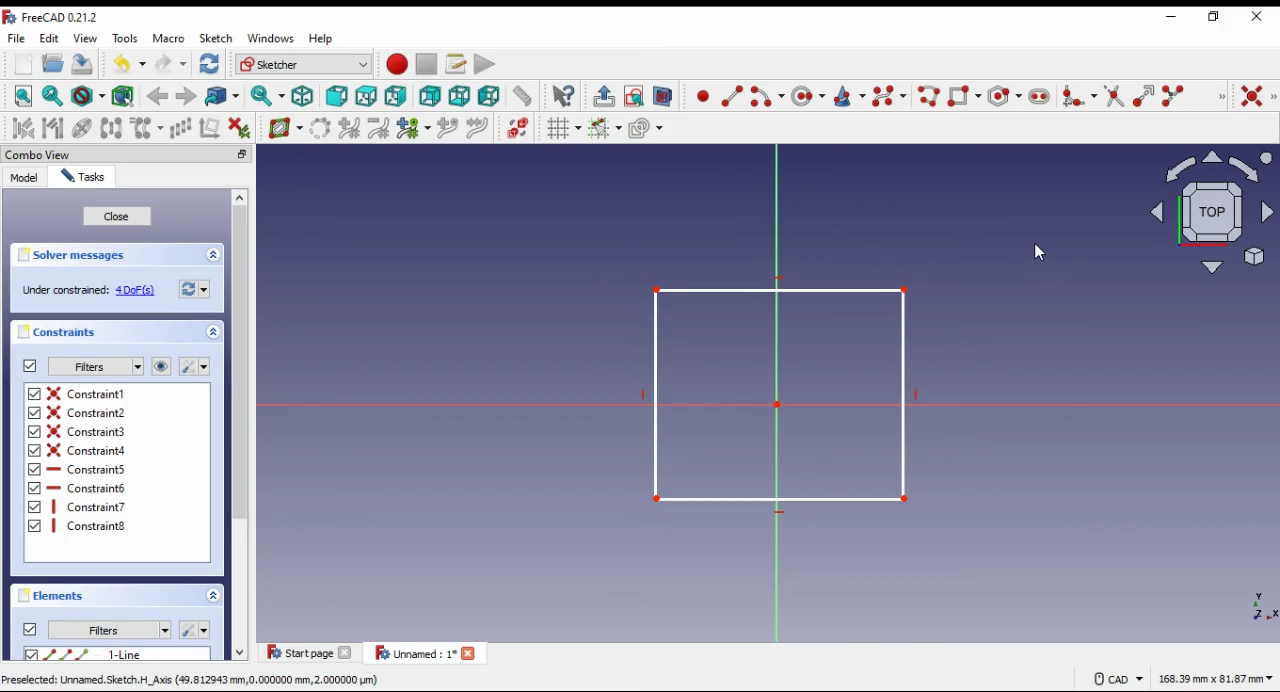 The height and width of the screenshot is (692, 1280). Describe the element at coordinates (31, 366) in the screenshot. I see `on/off constraints` at that location.